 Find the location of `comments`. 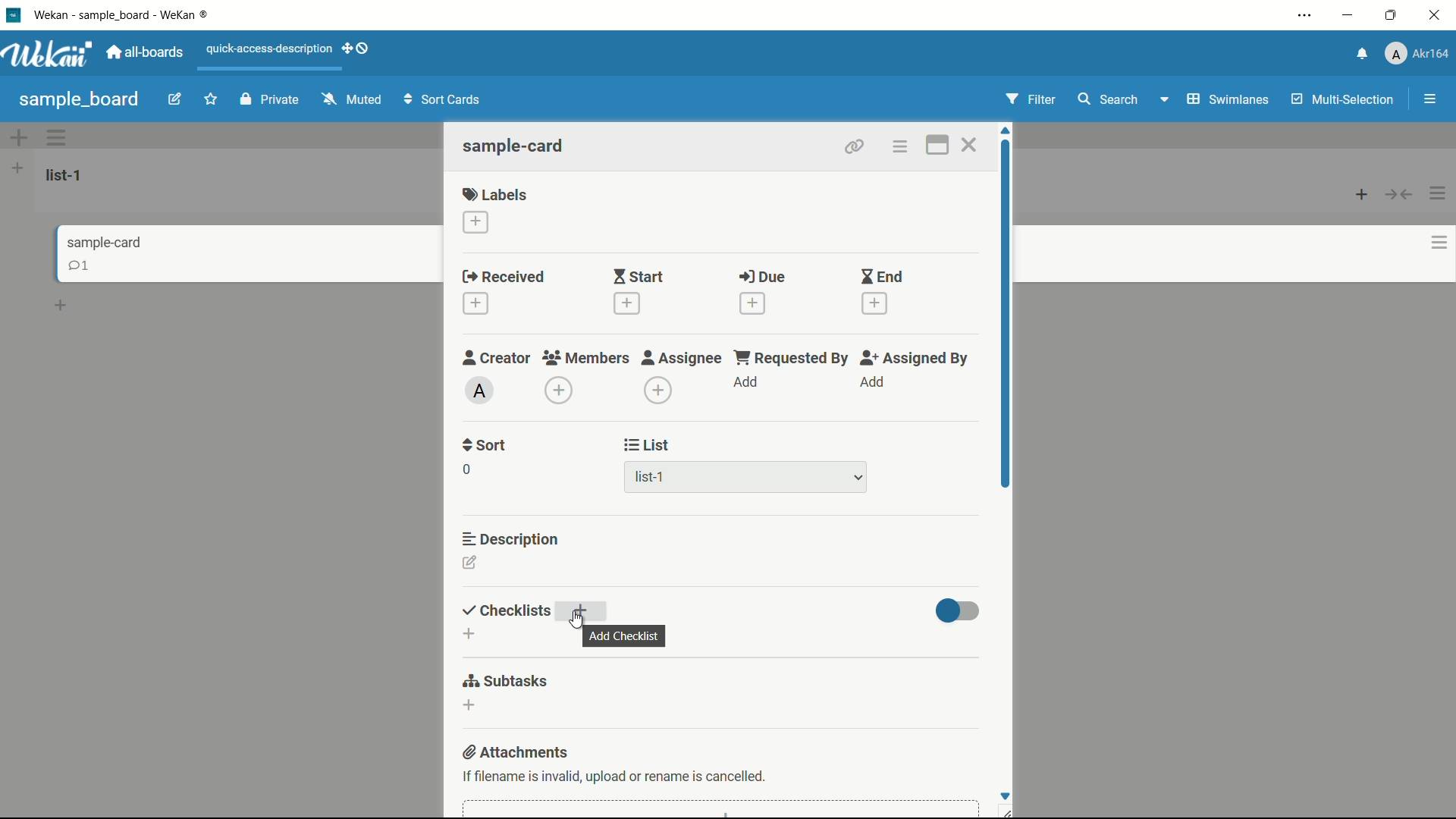

comments is located at coordinates (76, 268).